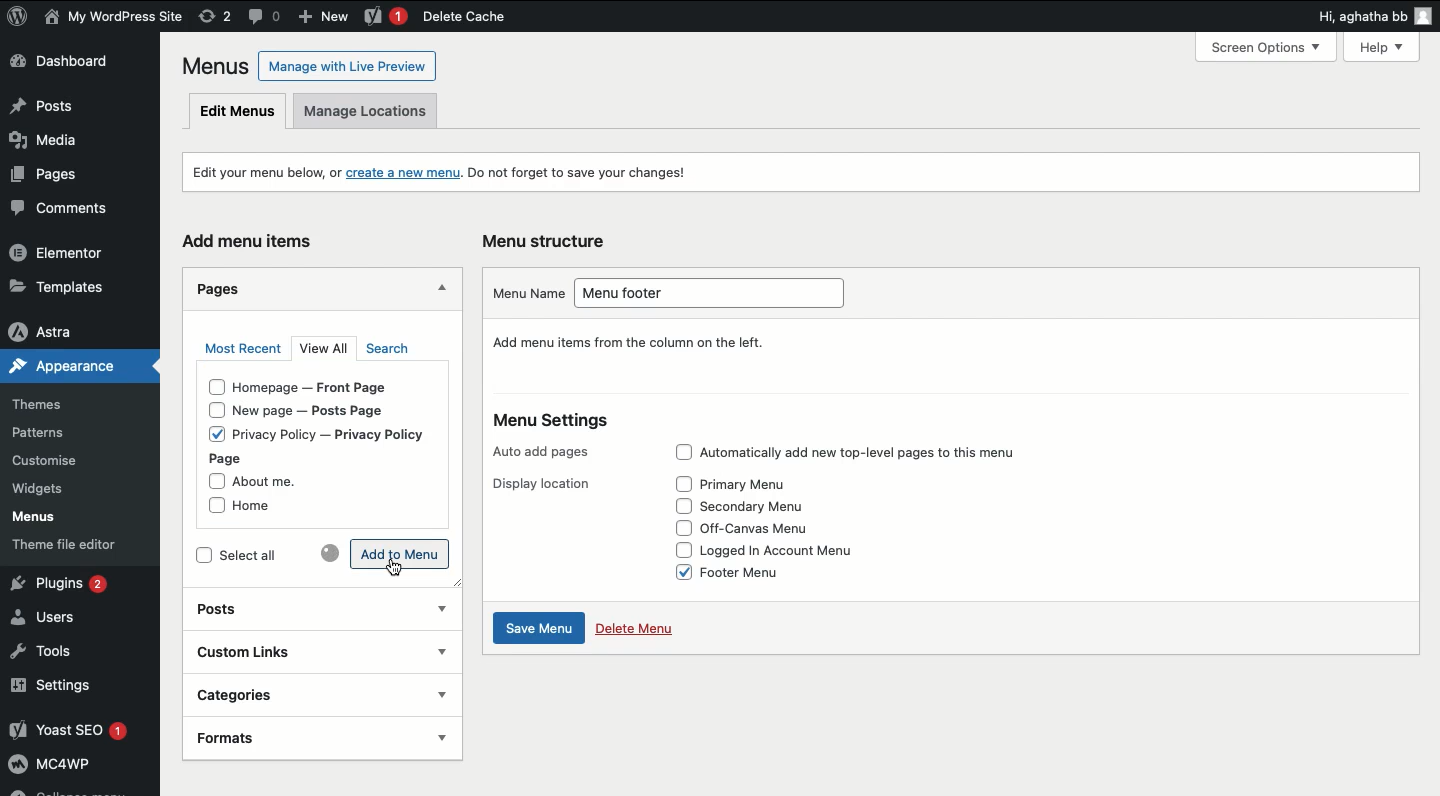 Image resolution: width=1440 pixels, height=796 pixels. What do you see at coordinates (234, 459) in the screenshot?
I see `page` at bounding box center [234, 459].